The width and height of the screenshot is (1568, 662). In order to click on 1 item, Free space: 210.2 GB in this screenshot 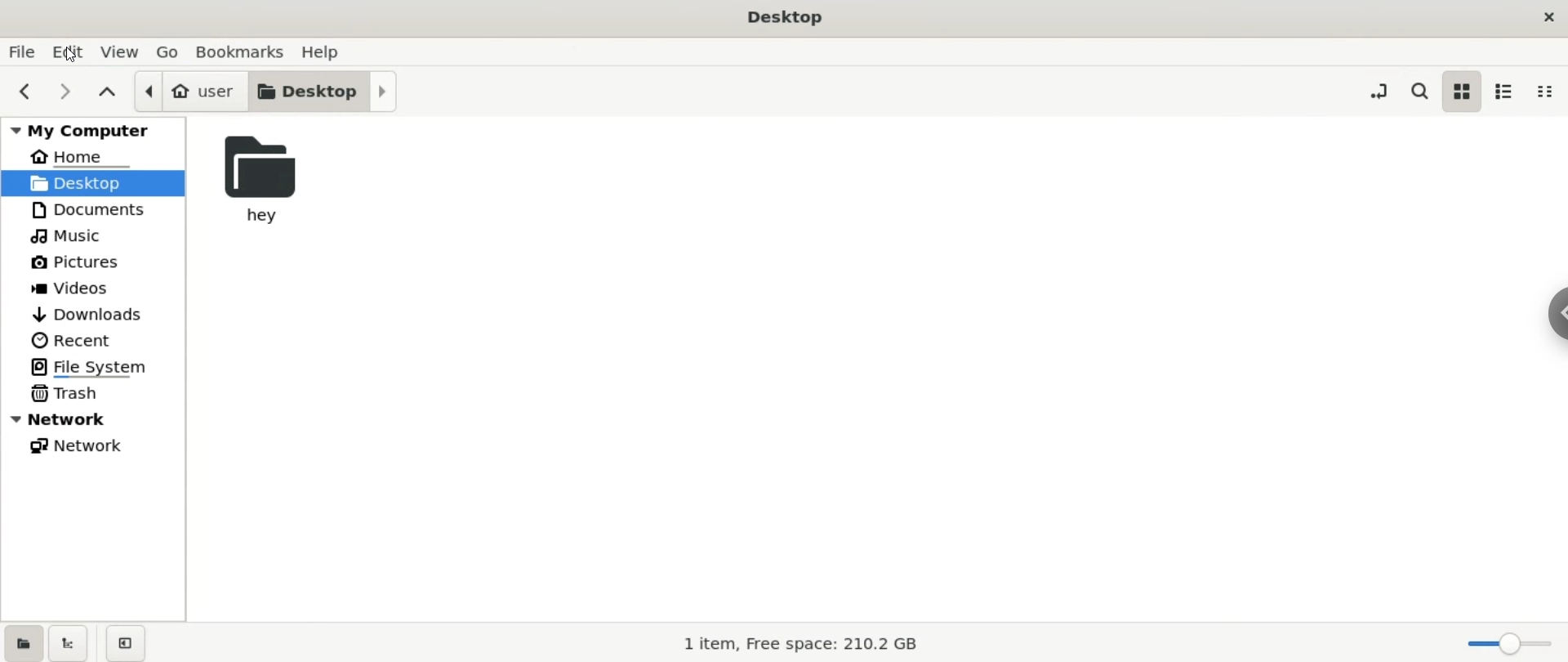, I will do `click(791, 640)`.